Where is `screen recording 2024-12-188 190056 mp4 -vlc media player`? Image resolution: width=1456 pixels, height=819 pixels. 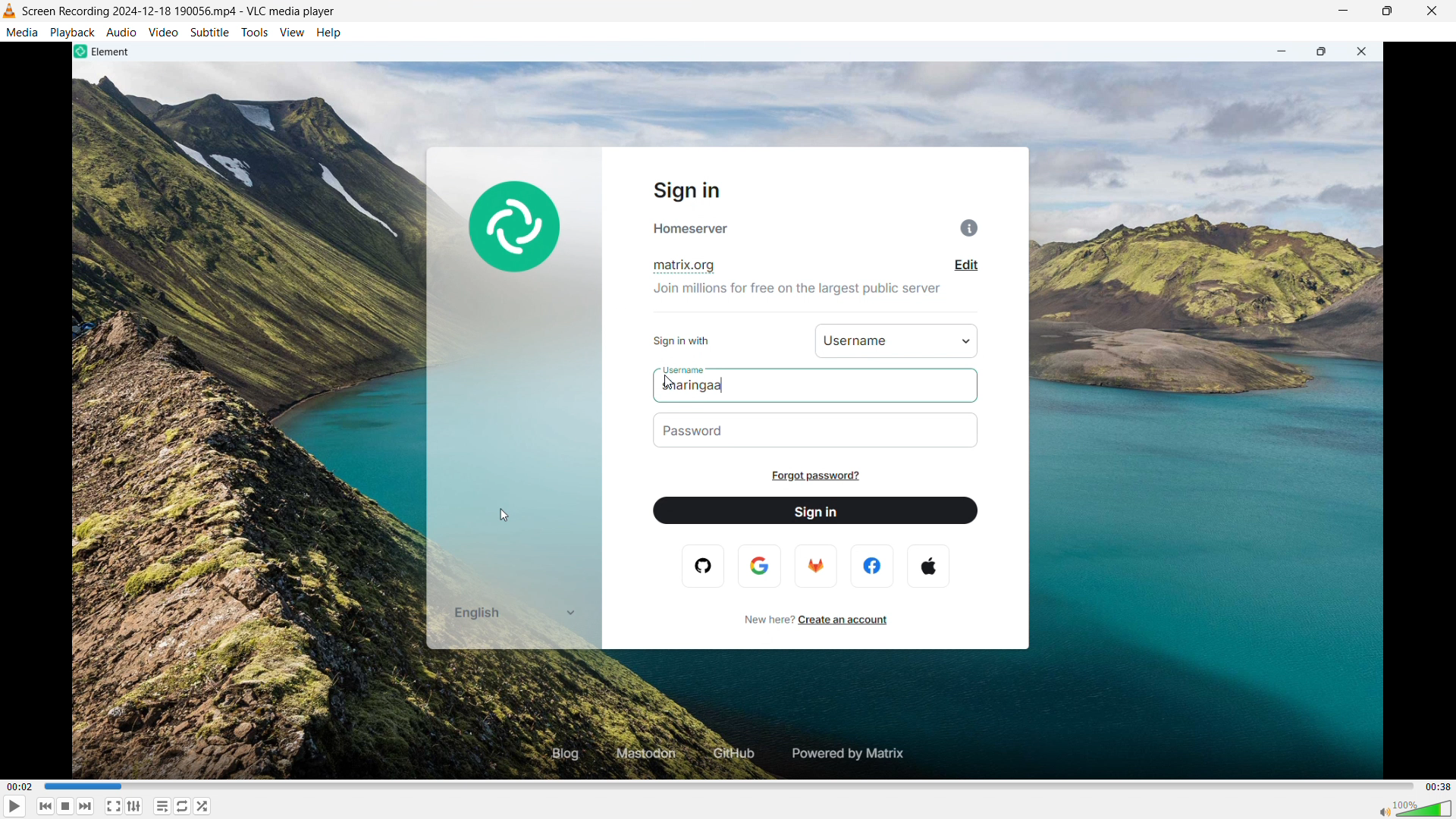
screen recording 2024-12-188 190056 mp4 -vlc media player is located at coordinates (195, 10).